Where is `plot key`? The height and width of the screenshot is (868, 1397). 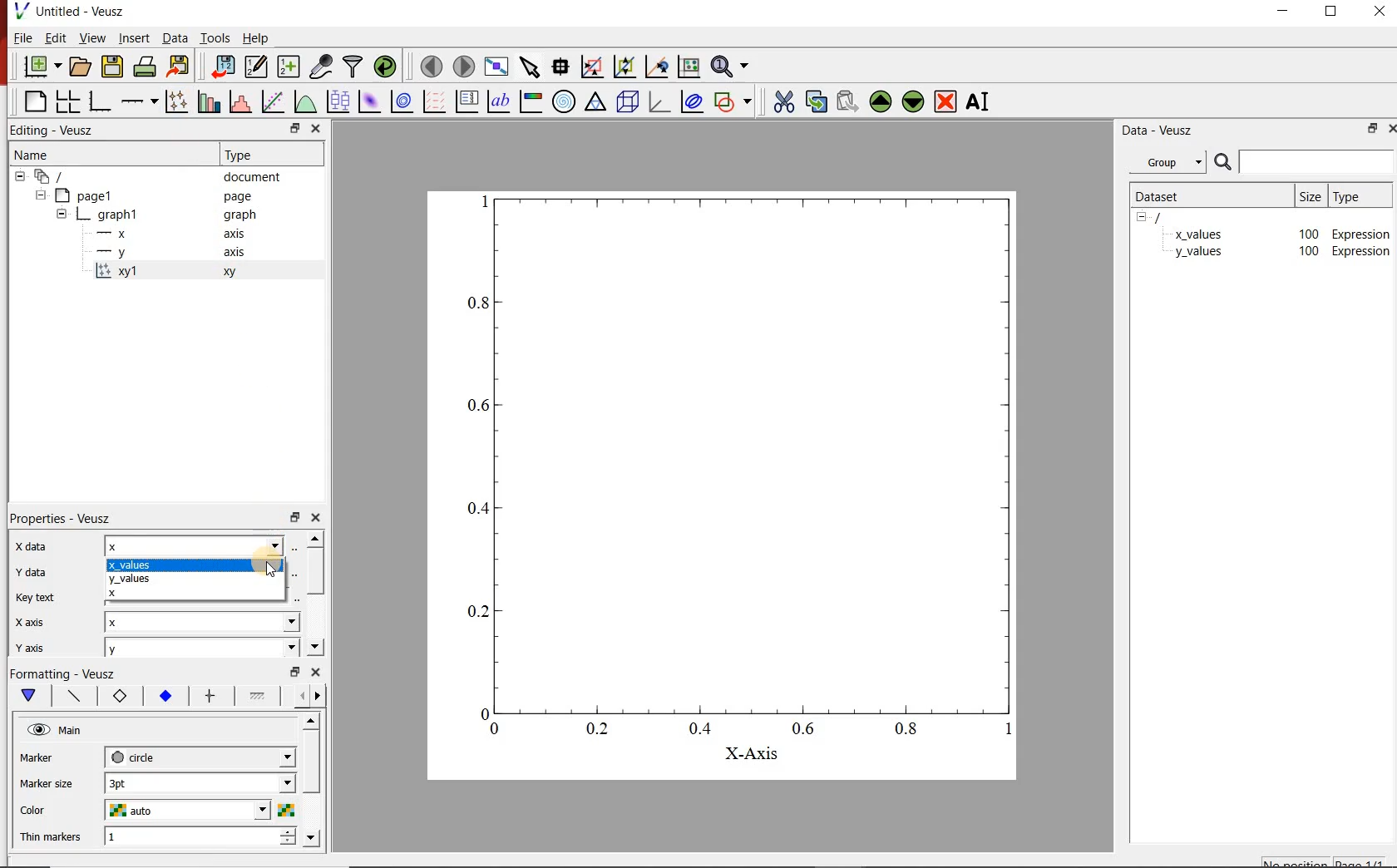
plot key is located at coordinates (468, 101).